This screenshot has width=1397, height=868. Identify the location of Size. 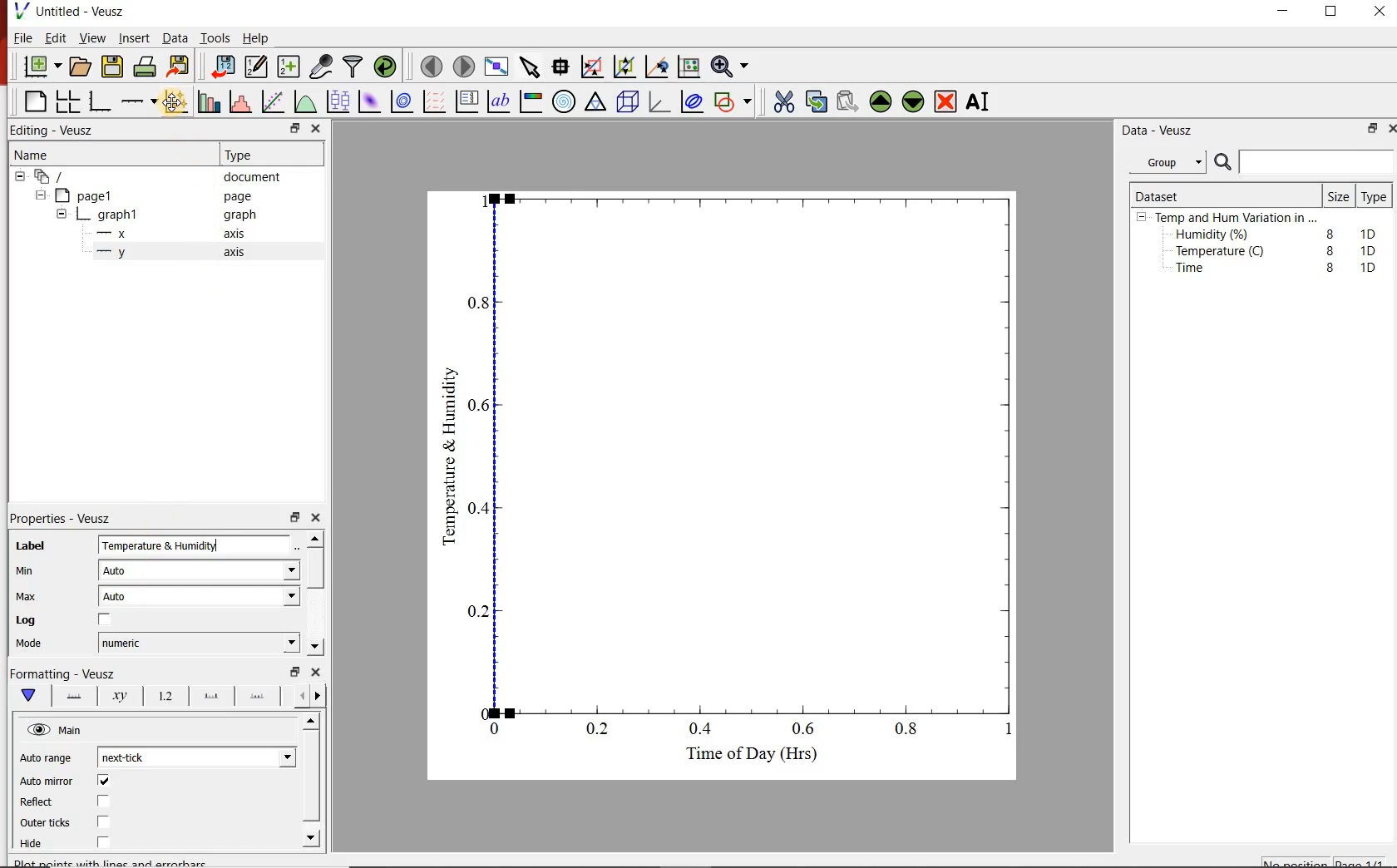
(1337, 195).